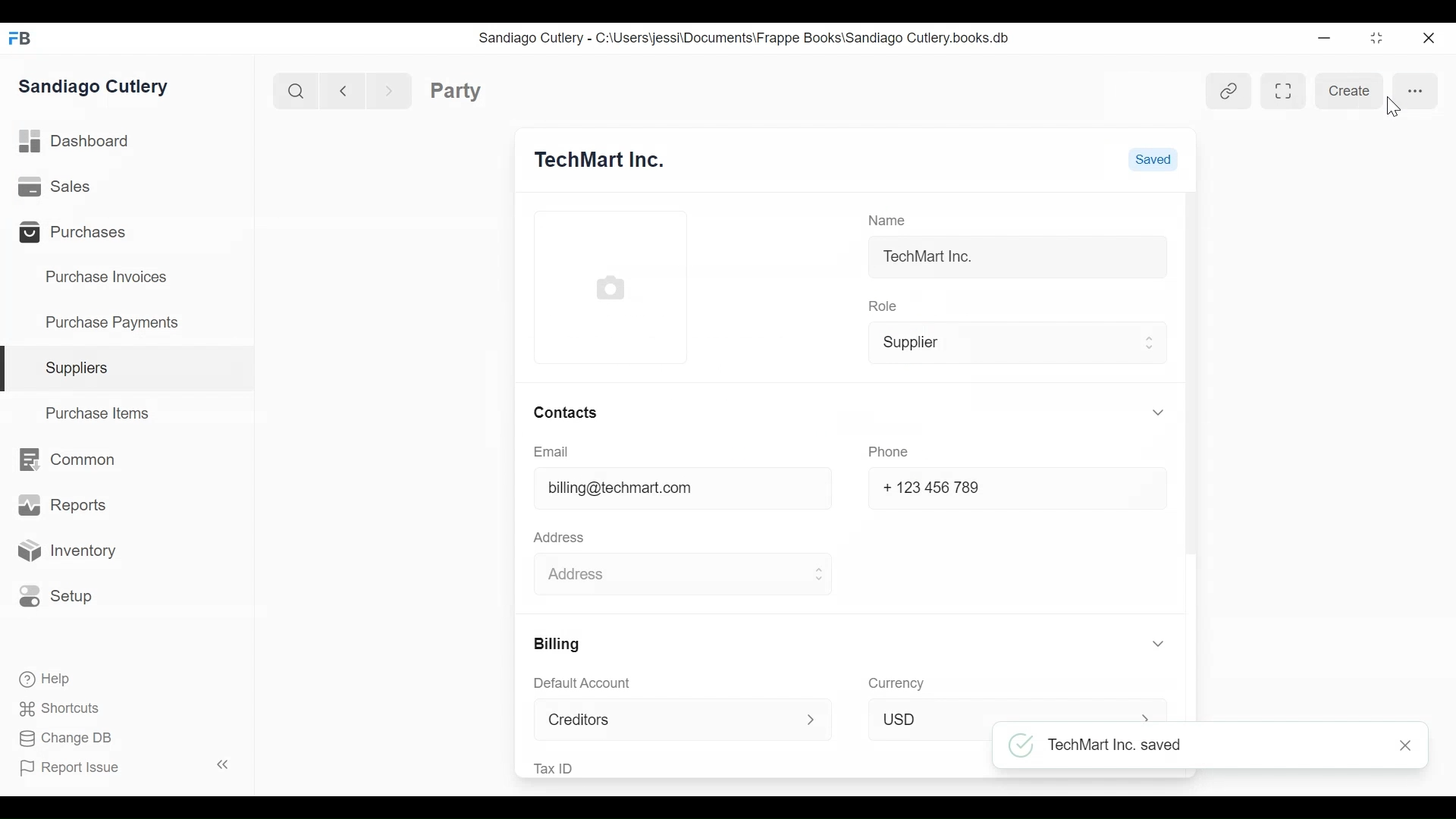  Describe the element at coordinates (298, 92) in the screenshot. I see `search` at that location.